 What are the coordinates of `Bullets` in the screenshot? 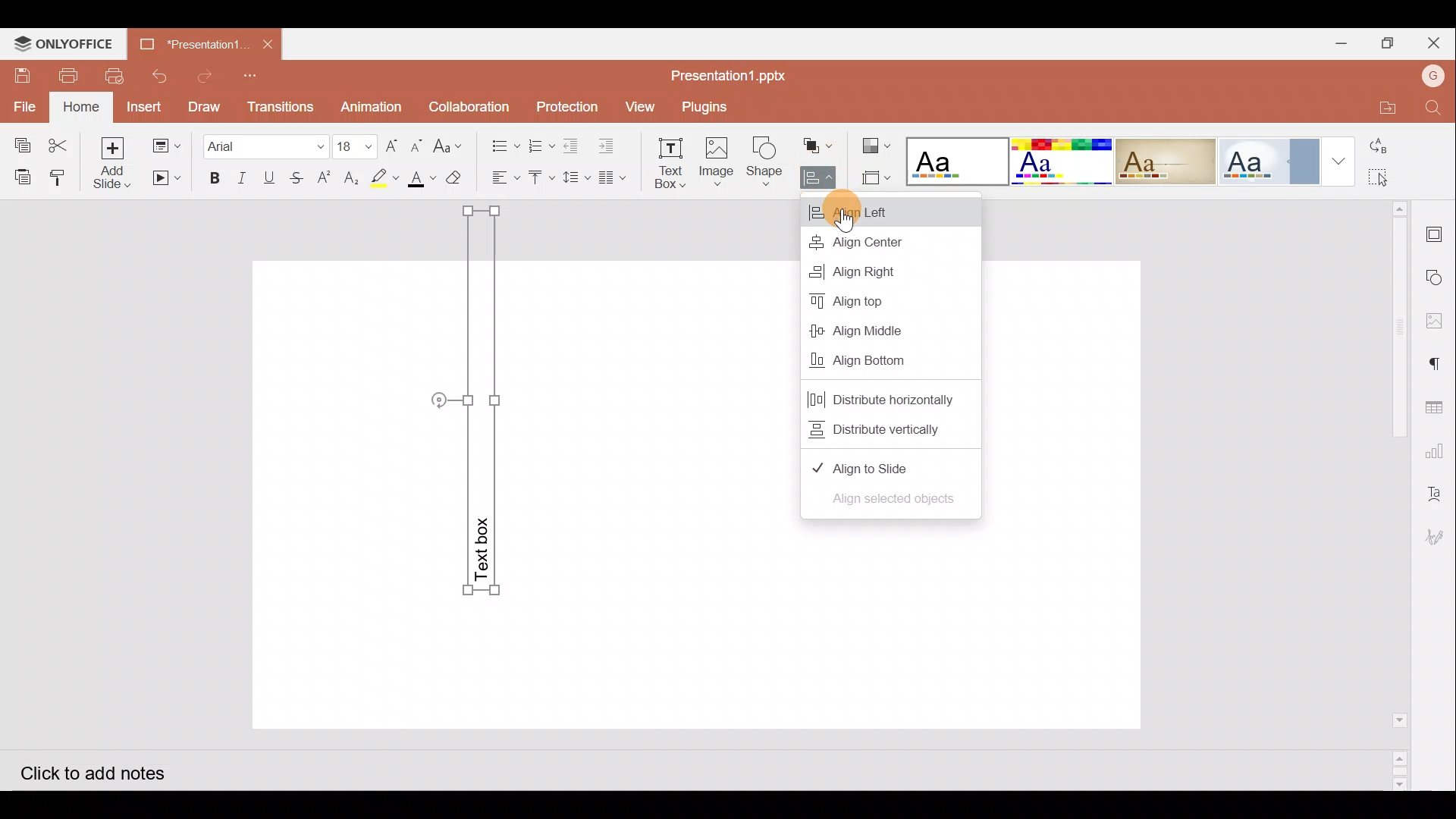 It's located at (501, 142).